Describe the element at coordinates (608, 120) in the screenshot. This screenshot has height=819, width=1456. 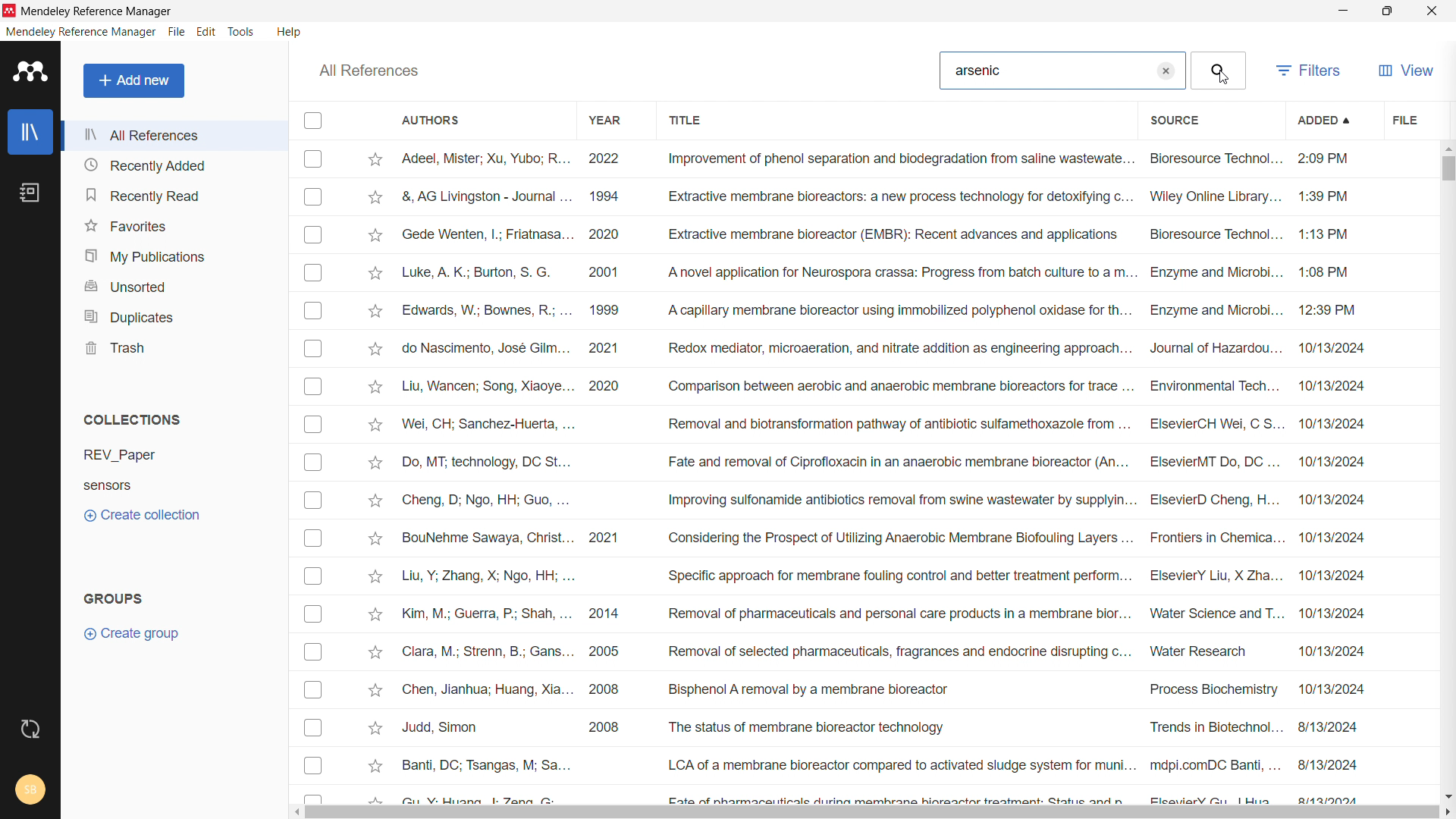
I see `year` at that location.